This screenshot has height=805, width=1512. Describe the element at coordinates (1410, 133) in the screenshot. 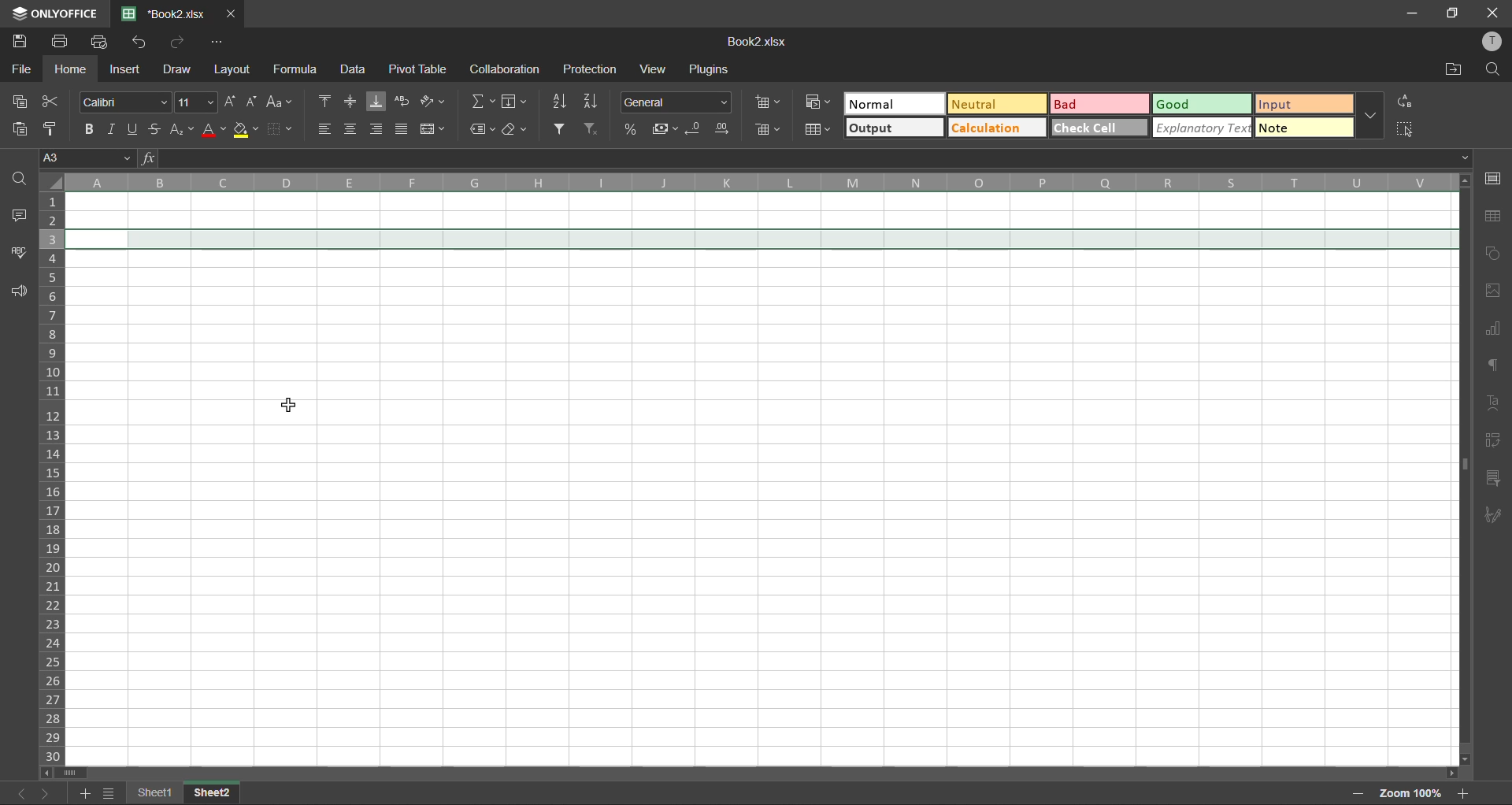

I see `select all` at that location.